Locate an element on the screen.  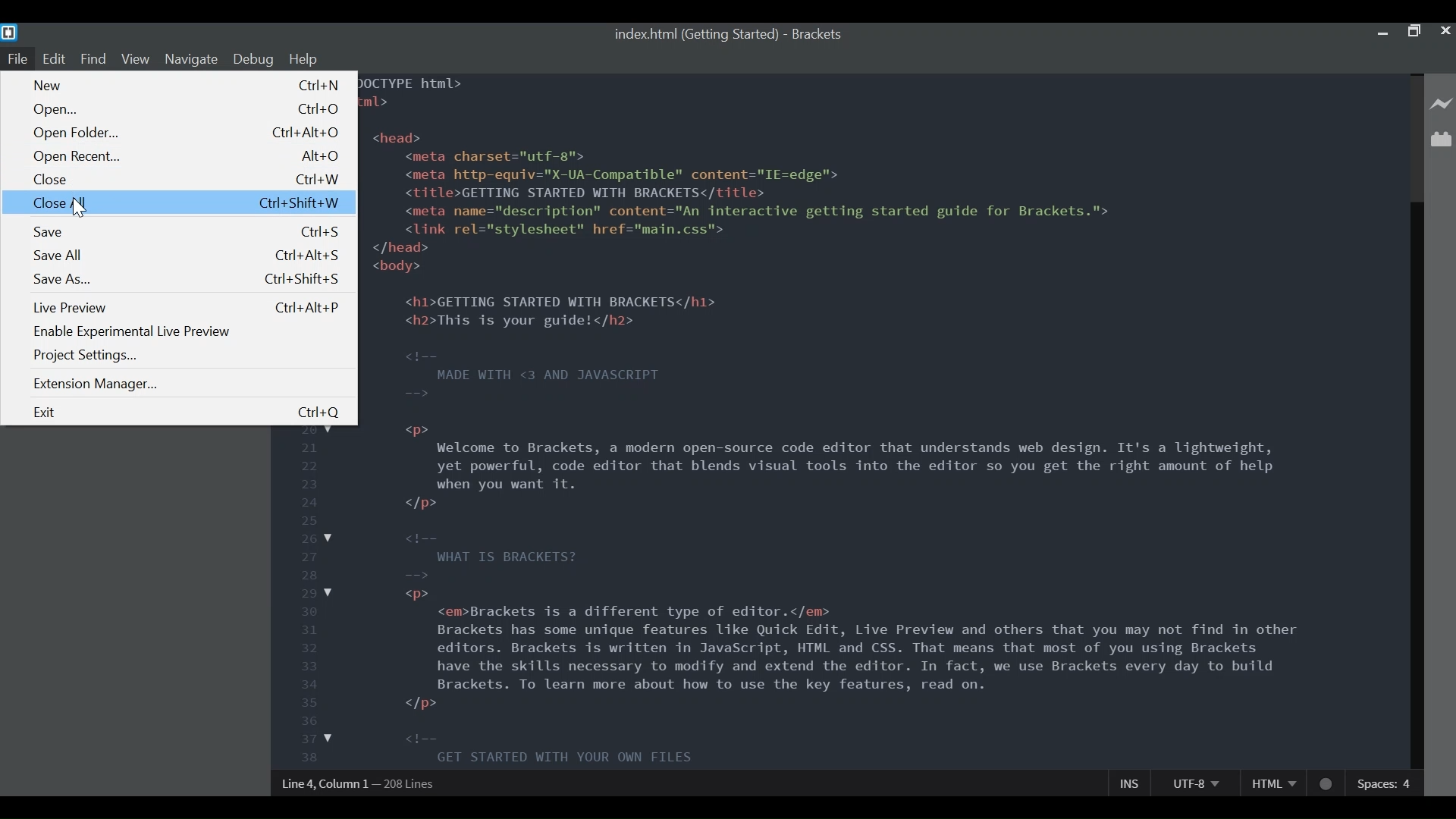
Live Preview is located at coordinates (186, 309).